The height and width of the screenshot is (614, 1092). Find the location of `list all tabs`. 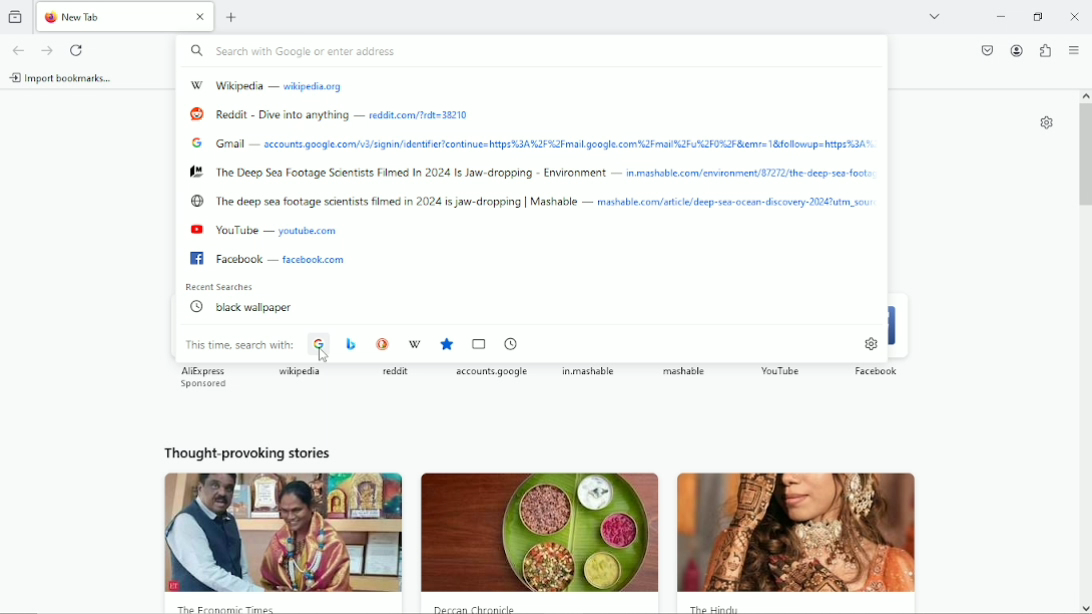

list all tabs is located at coordinates (938, 17).